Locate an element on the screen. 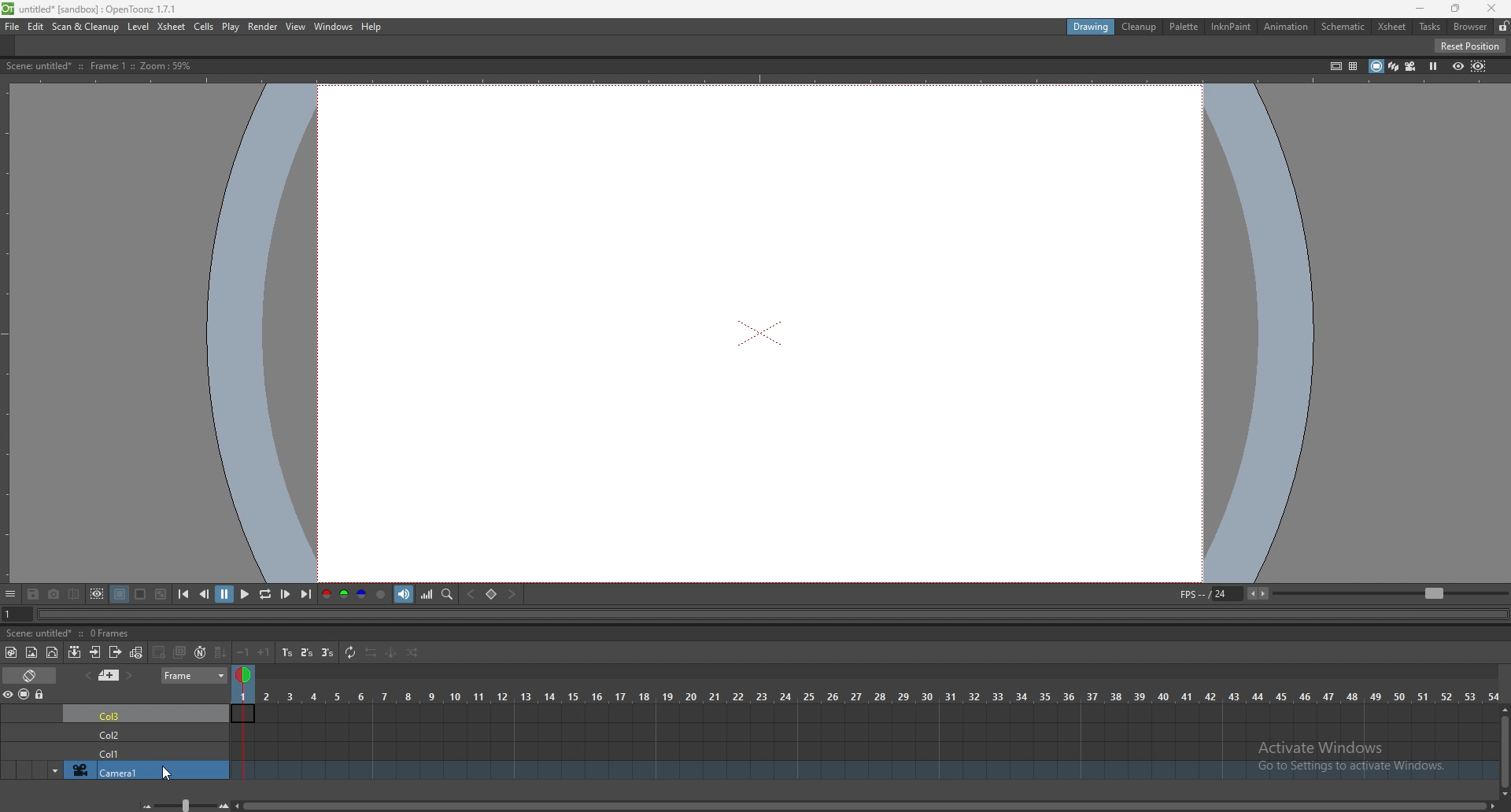  description is located at coordinates (96, 66).